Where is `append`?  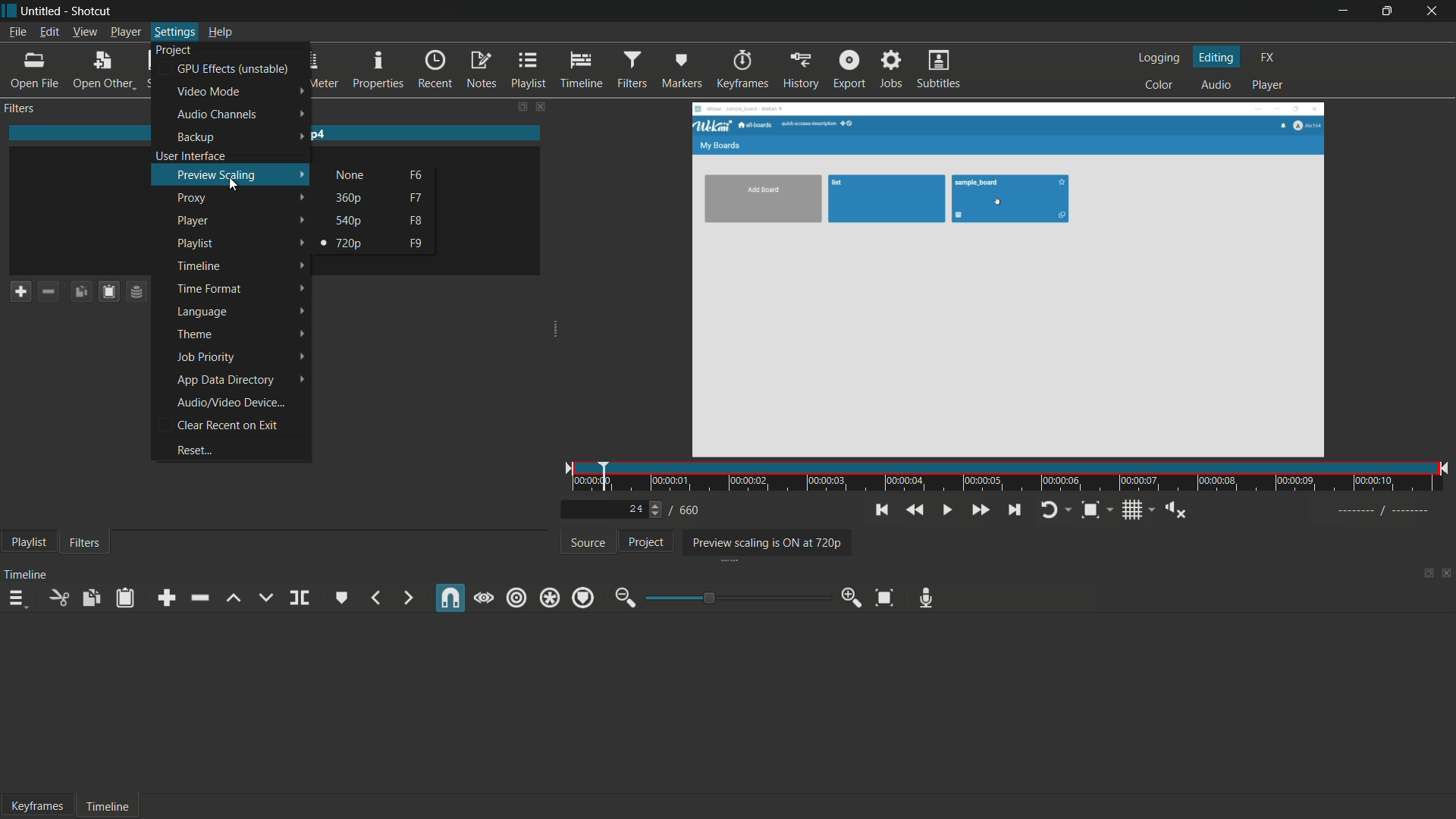
append is located at coordinates (166, 598).